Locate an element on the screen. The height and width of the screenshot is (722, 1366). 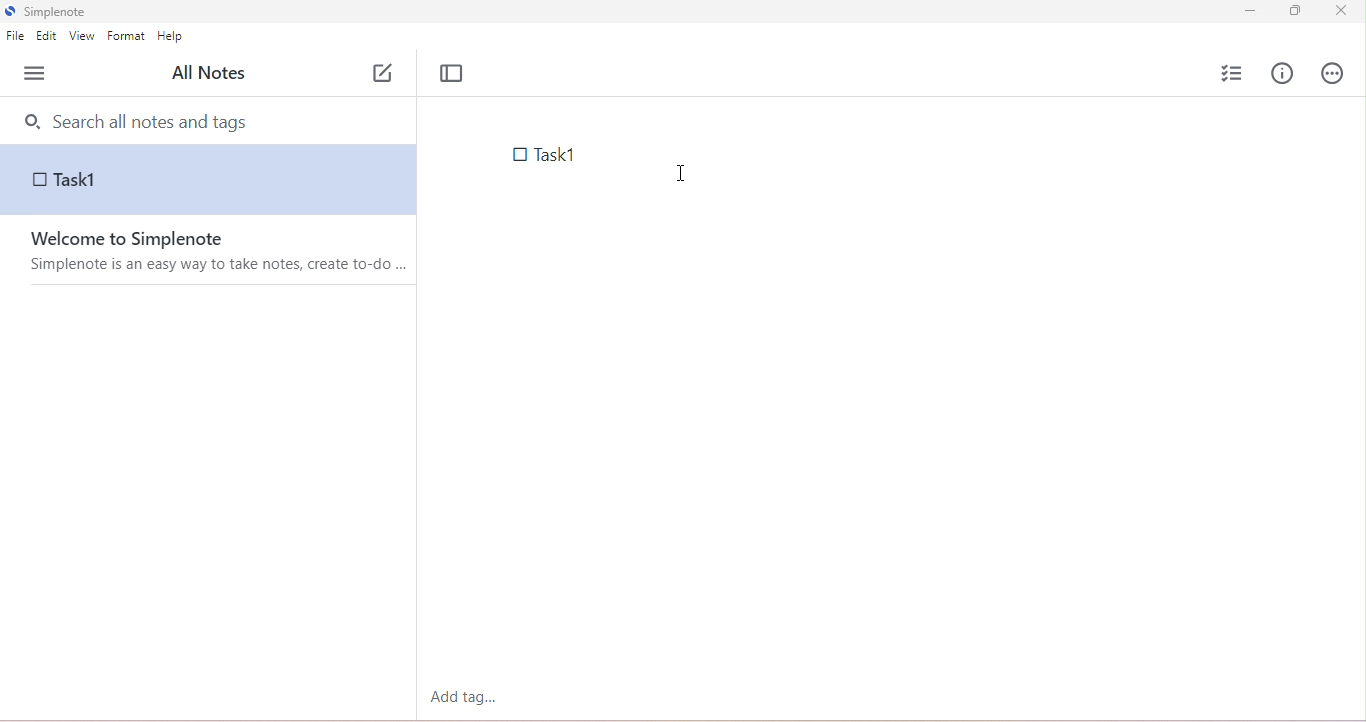
add tag is located at coordinates (463, 696).